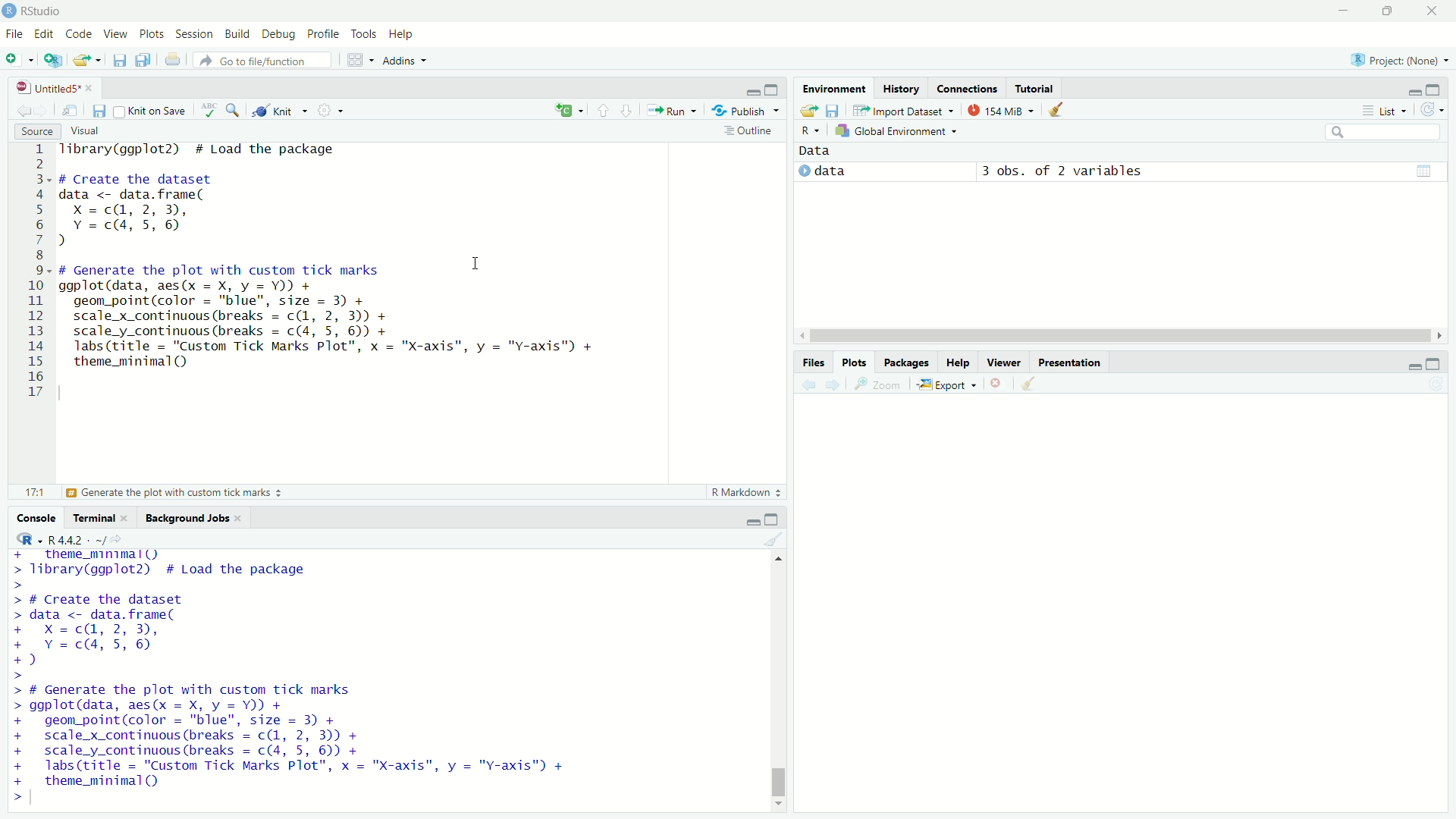  Describe the element at coordinates (1432, 11) in the screenshot. I see `close` at that location.